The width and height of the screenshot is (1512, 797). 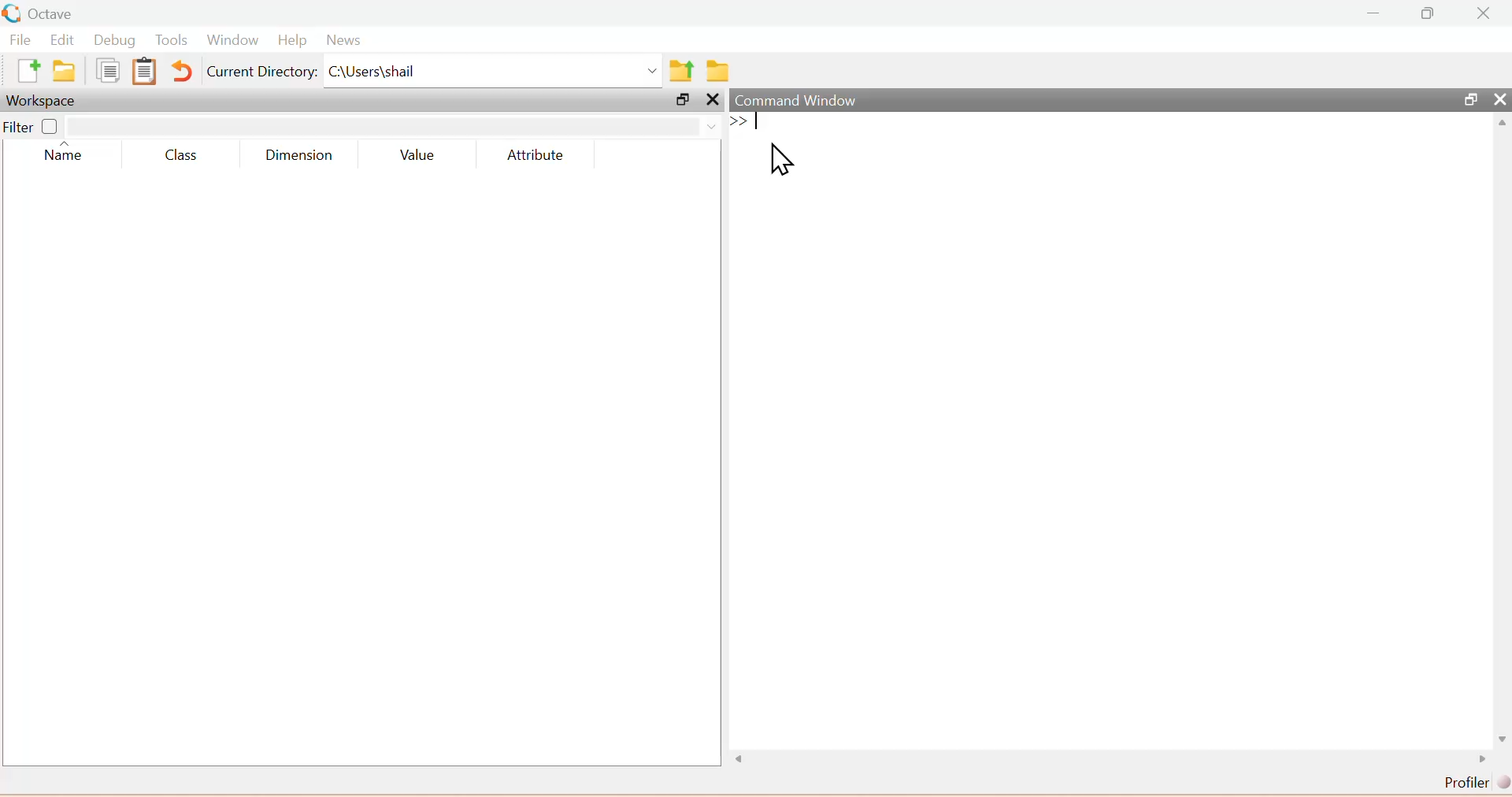 I want to click on Minimize, so click(x=1375, y=13).